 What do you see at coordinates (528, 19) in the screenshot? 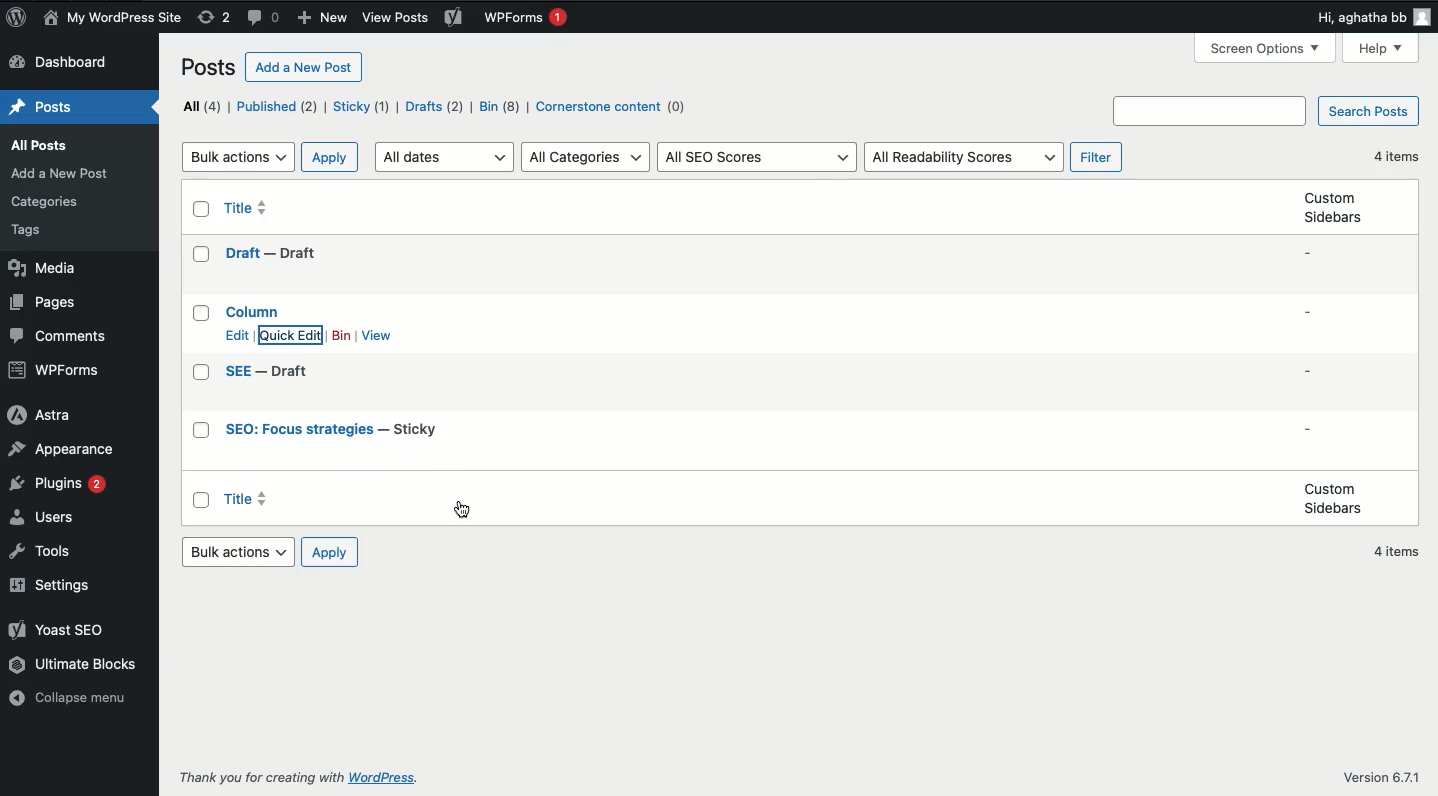
I see `WPForms` at bounding box center [528, 19].